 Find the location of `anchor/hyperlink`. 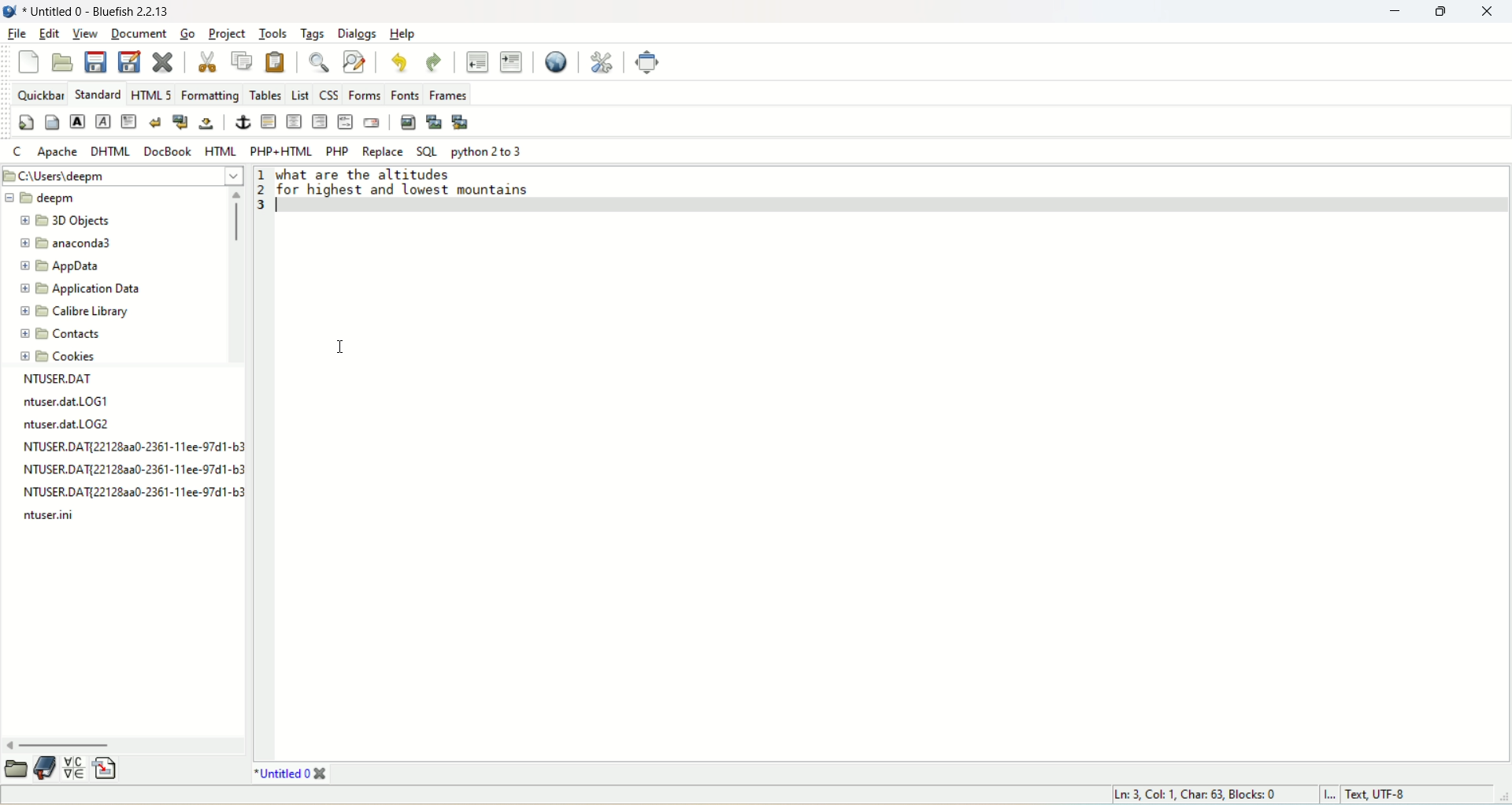

anchor/hyperlink is located at coordinates (243, 121).